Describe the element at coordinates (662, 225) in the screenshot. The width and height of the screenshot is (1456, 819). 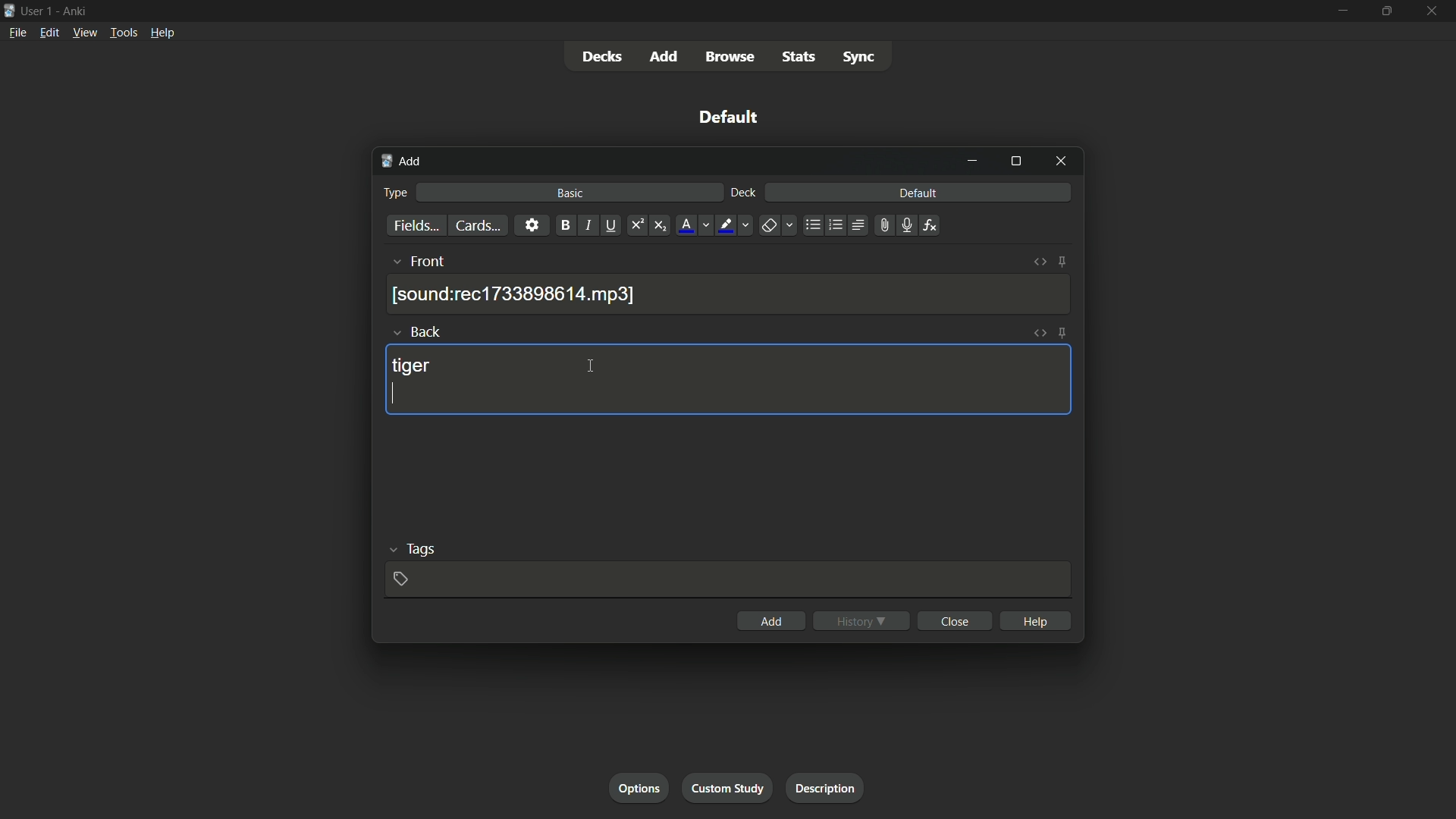
I see `subscript` at that location.